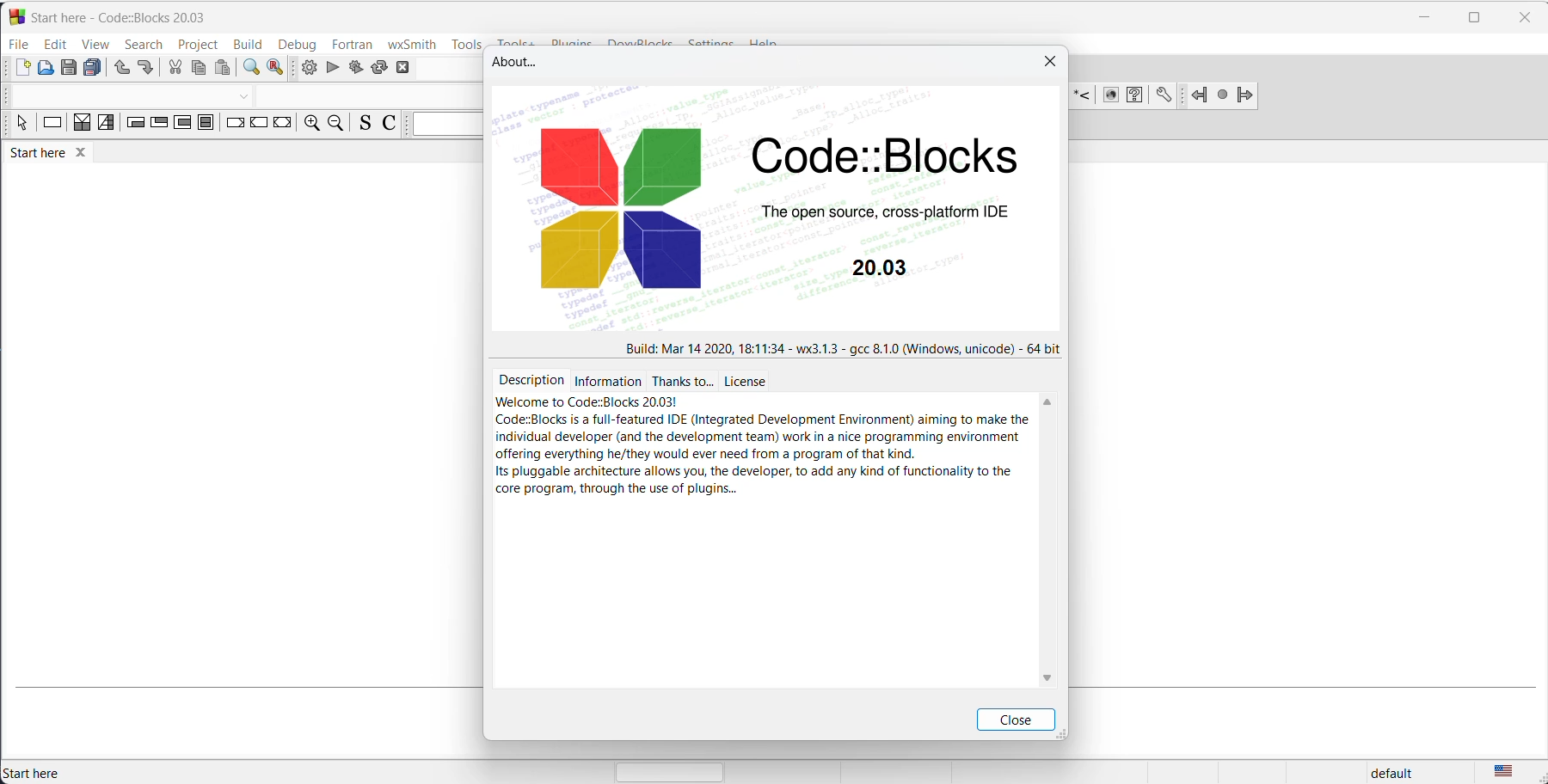 Image resolution: width=1548 pixels, height=784 pixels. I want to click on run, so click(331, 68).